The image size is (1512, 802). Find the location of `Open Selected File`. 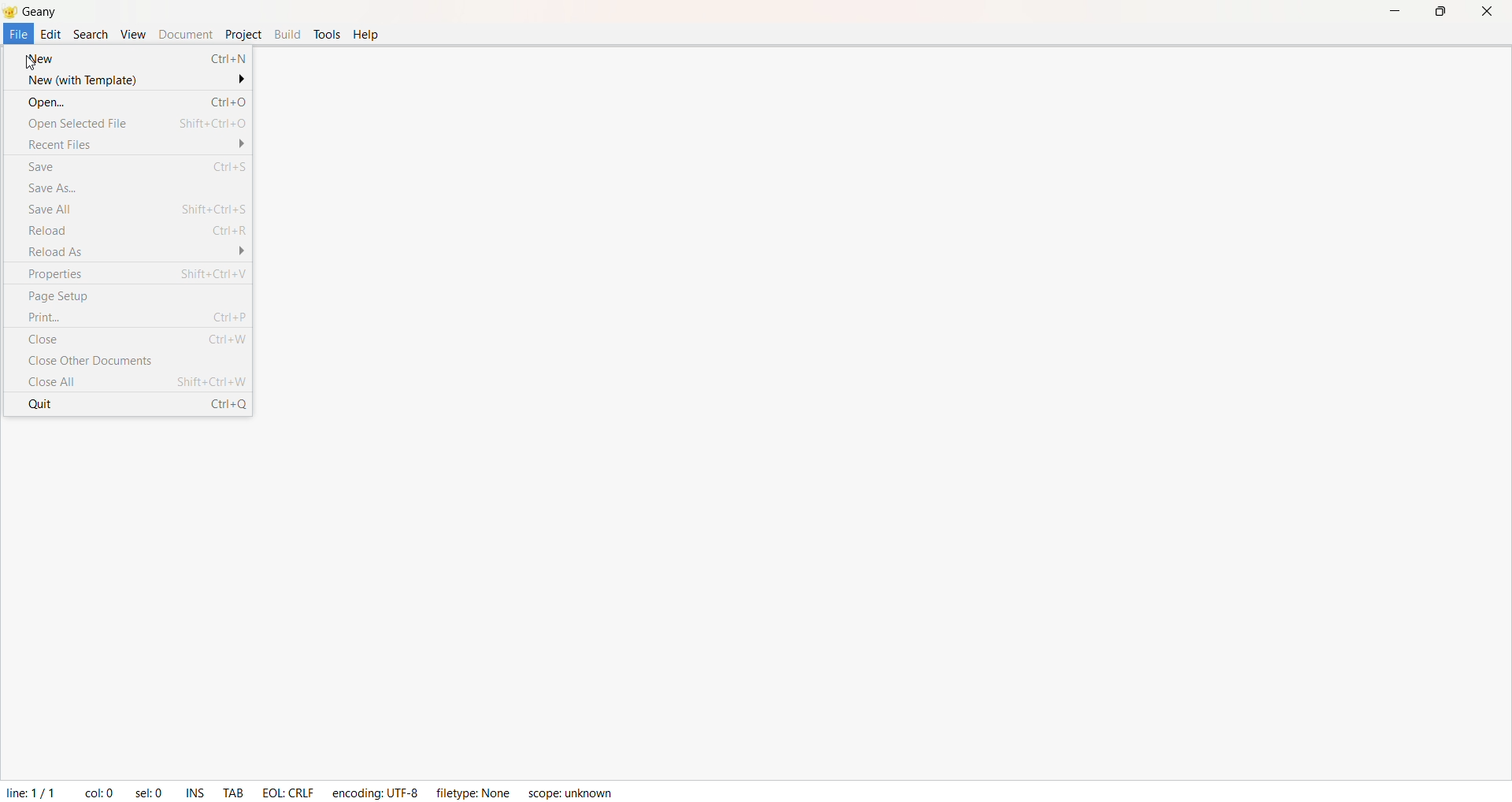

Open Selected File is located at coordinates (135, 125).